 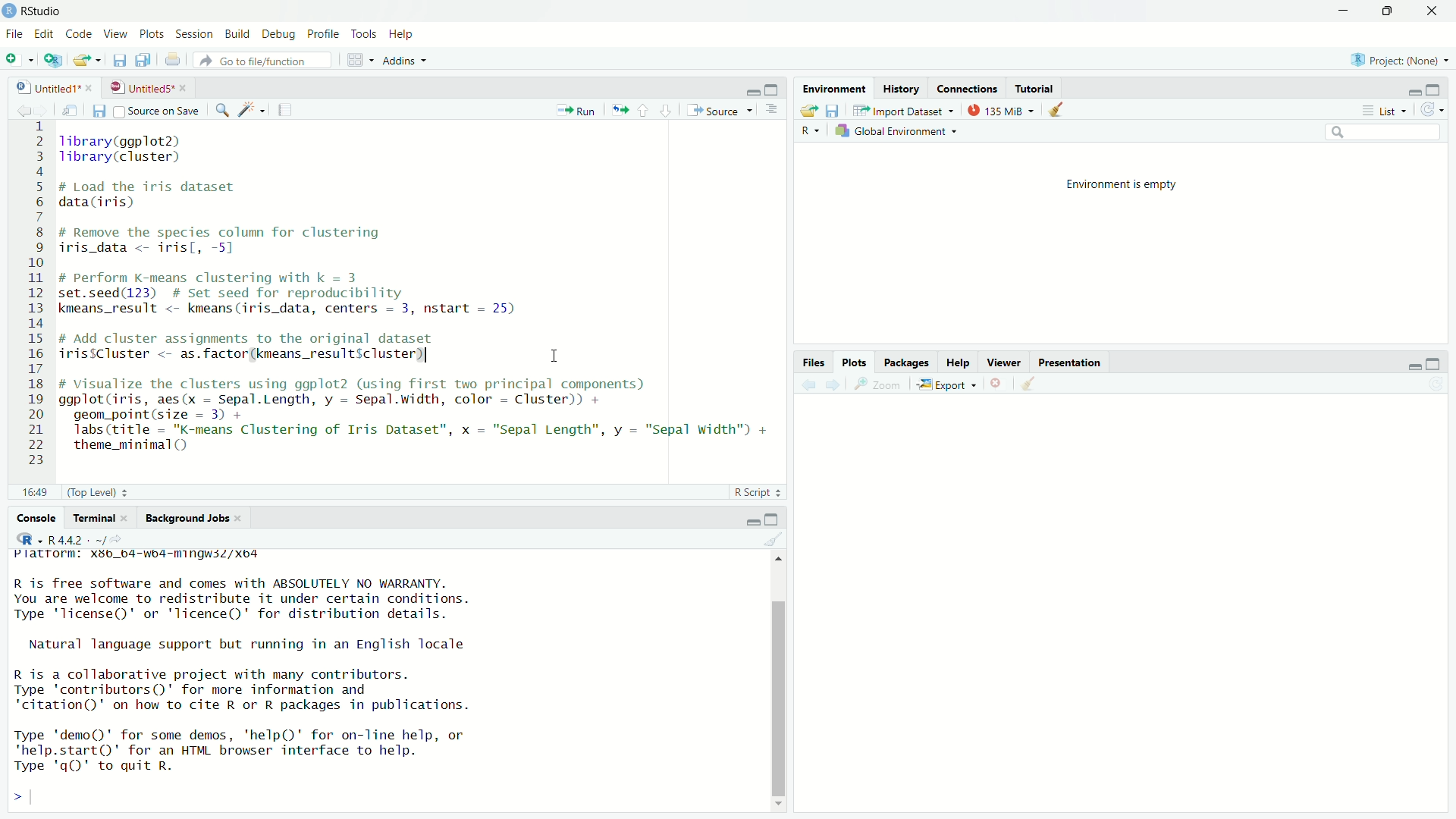 What do you see at coordinates (43, 108) in the screenshot?
I see `go forward to the next source location` at bounding box center [43, 108].